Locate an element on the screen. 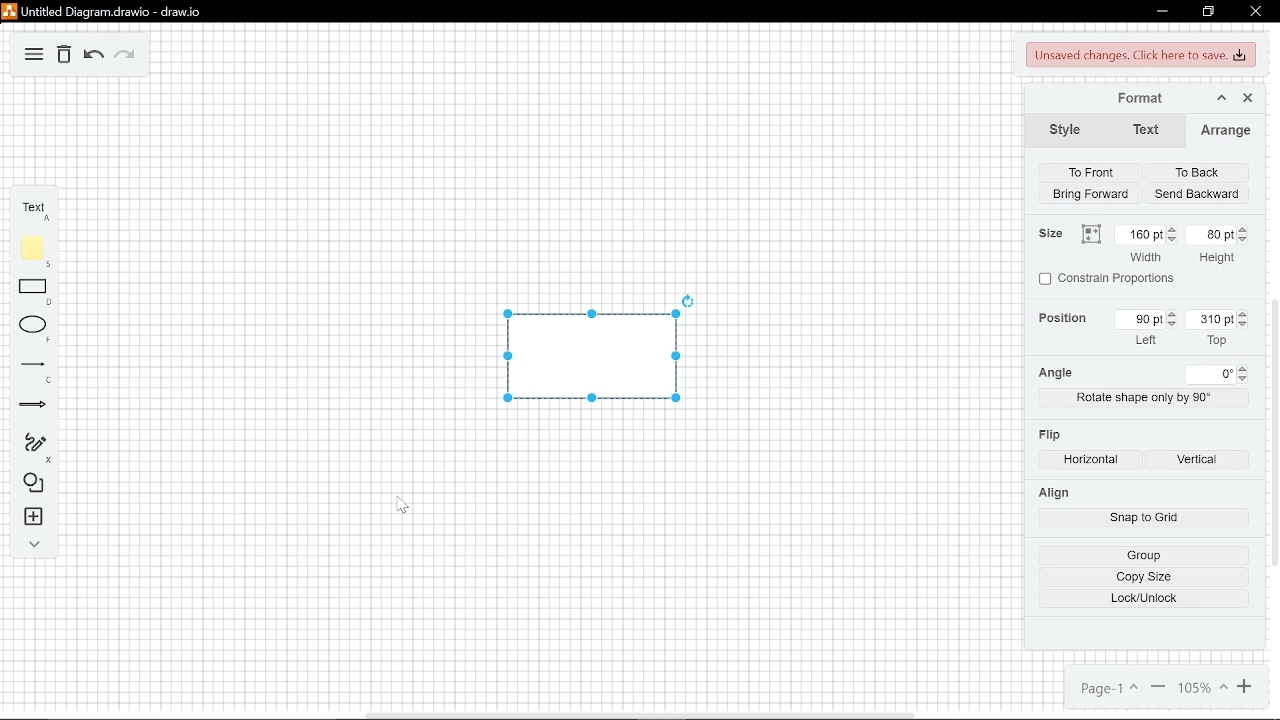  style is located at coordinates (1063, 131).